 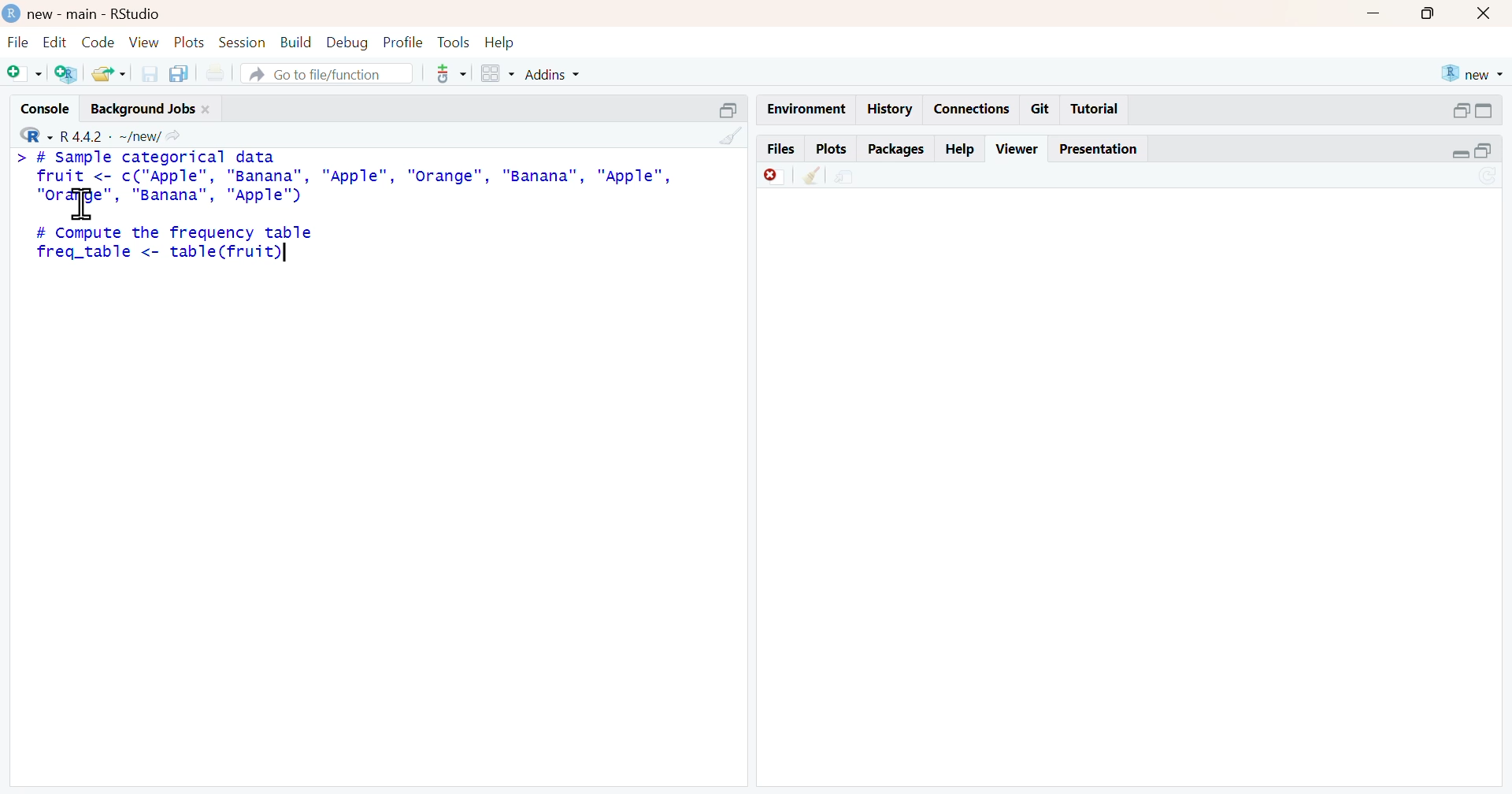 What do you see at coordinates (1043, 109) in the screenshot?
I see `git` at bounding box center [1043, 109].